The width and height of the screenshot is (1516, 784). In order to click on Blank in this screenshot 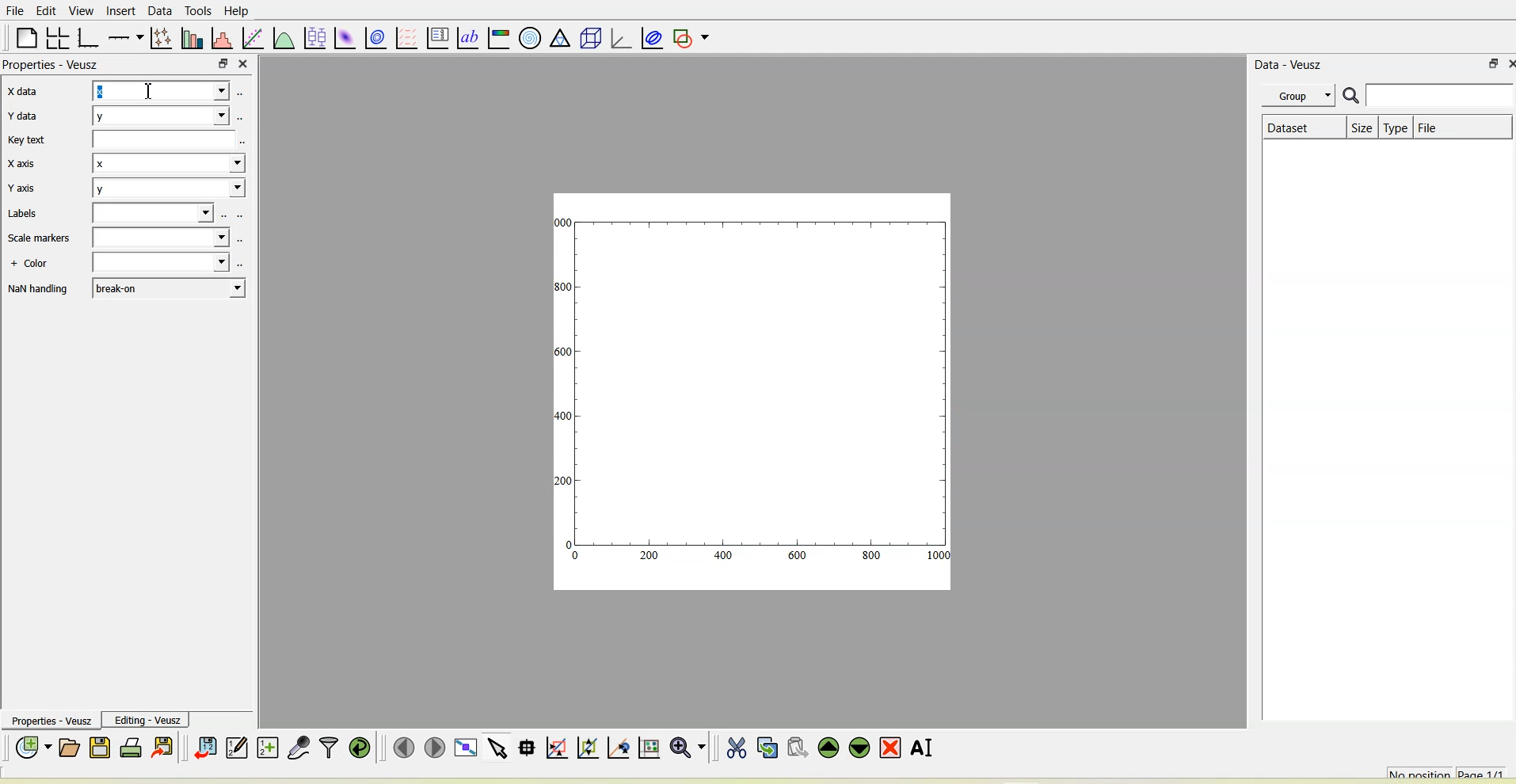, I will do `click(159, 261)`.